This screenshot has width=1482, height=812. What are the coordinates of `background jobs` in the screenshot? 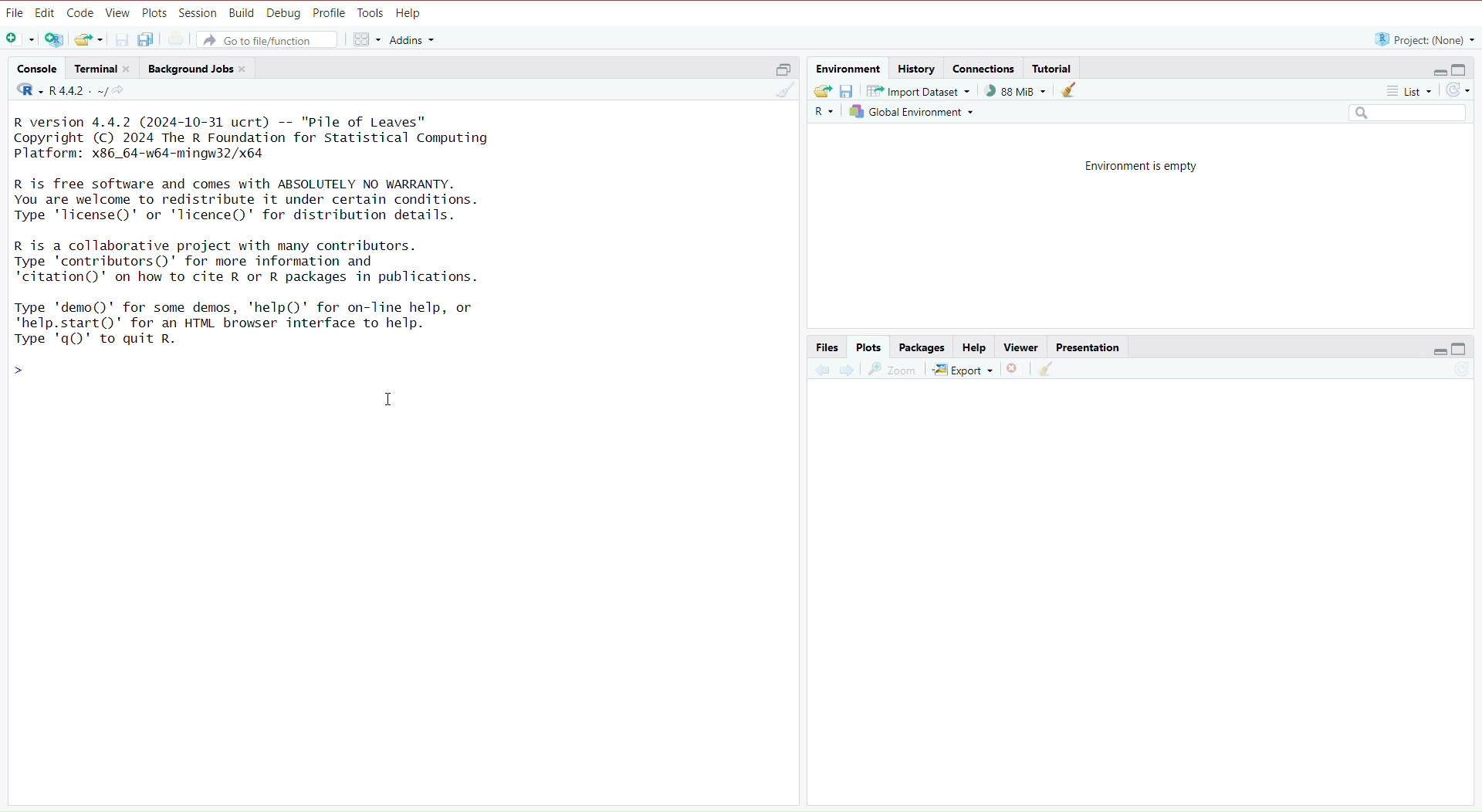 It's located at (200, 70).